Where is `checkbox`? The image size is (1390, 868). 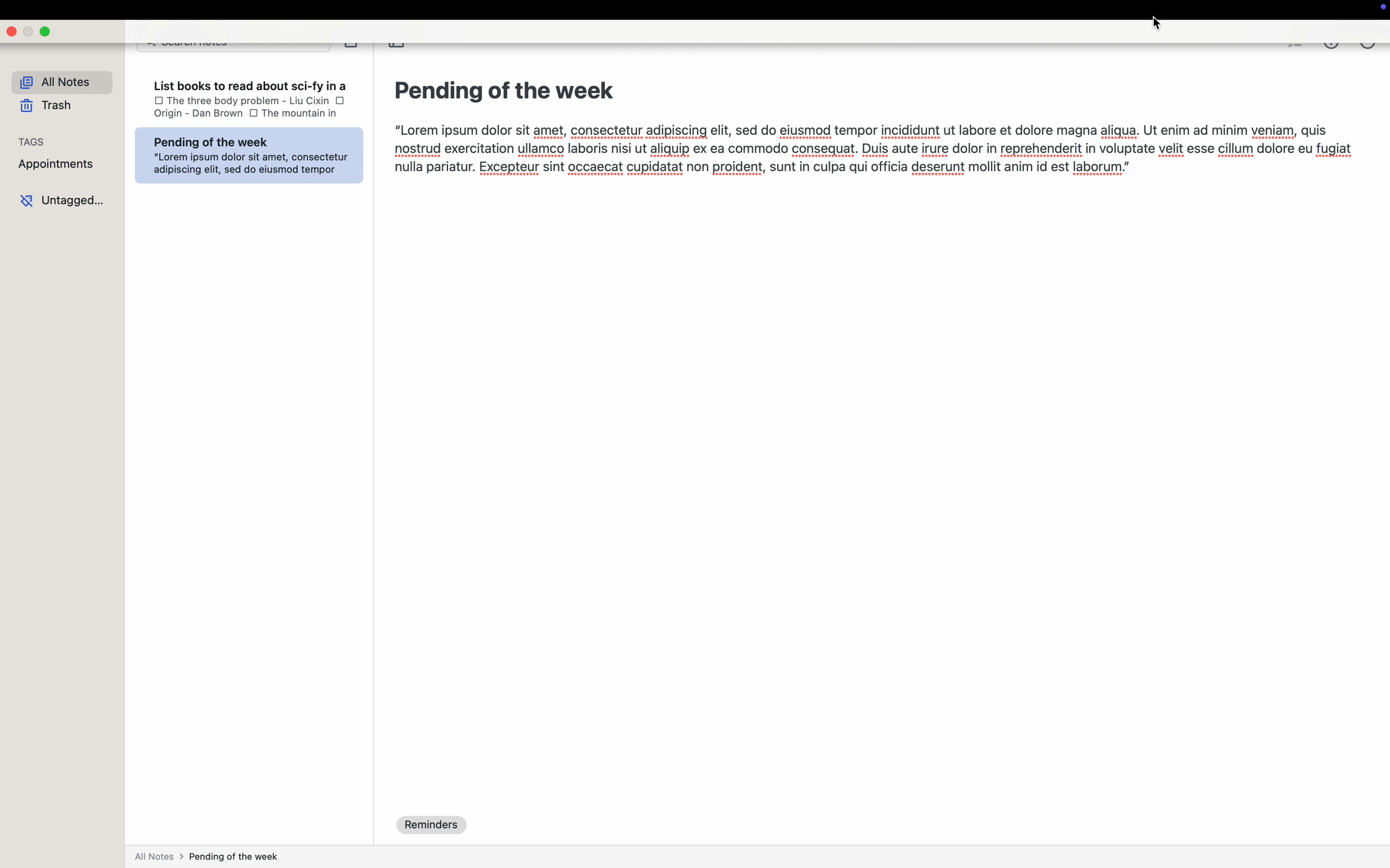
checkbox is located at coordinates (254, 114).